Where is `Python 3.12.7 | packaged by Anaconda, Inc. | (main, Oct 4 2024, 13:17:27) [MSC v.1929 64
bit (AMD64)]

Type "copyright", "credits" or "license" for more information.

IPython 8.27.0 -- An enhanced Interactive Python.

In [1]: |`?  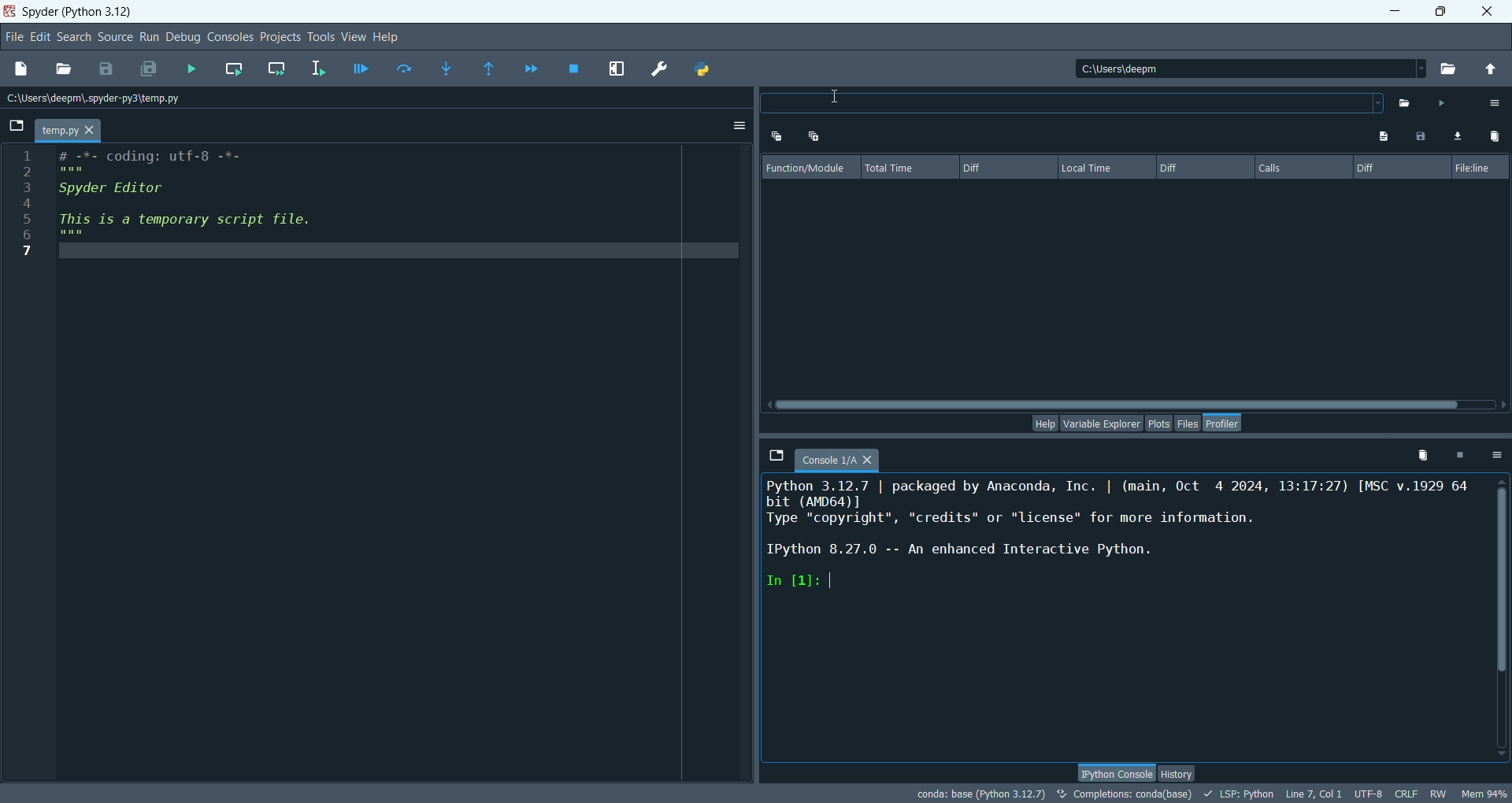 Python 3.12.7 | packaged by Anaconda, Inc. | (main, Oct 4 2024, 13:17:27) [MSC v.1929 64
bit (AMD64)]

Type "copyright", "credits" or "license" for more information.

IPython 8.27.0 -- An enhanced Interactive Python.

In [1]: | is located at coordinates (1111, 567).